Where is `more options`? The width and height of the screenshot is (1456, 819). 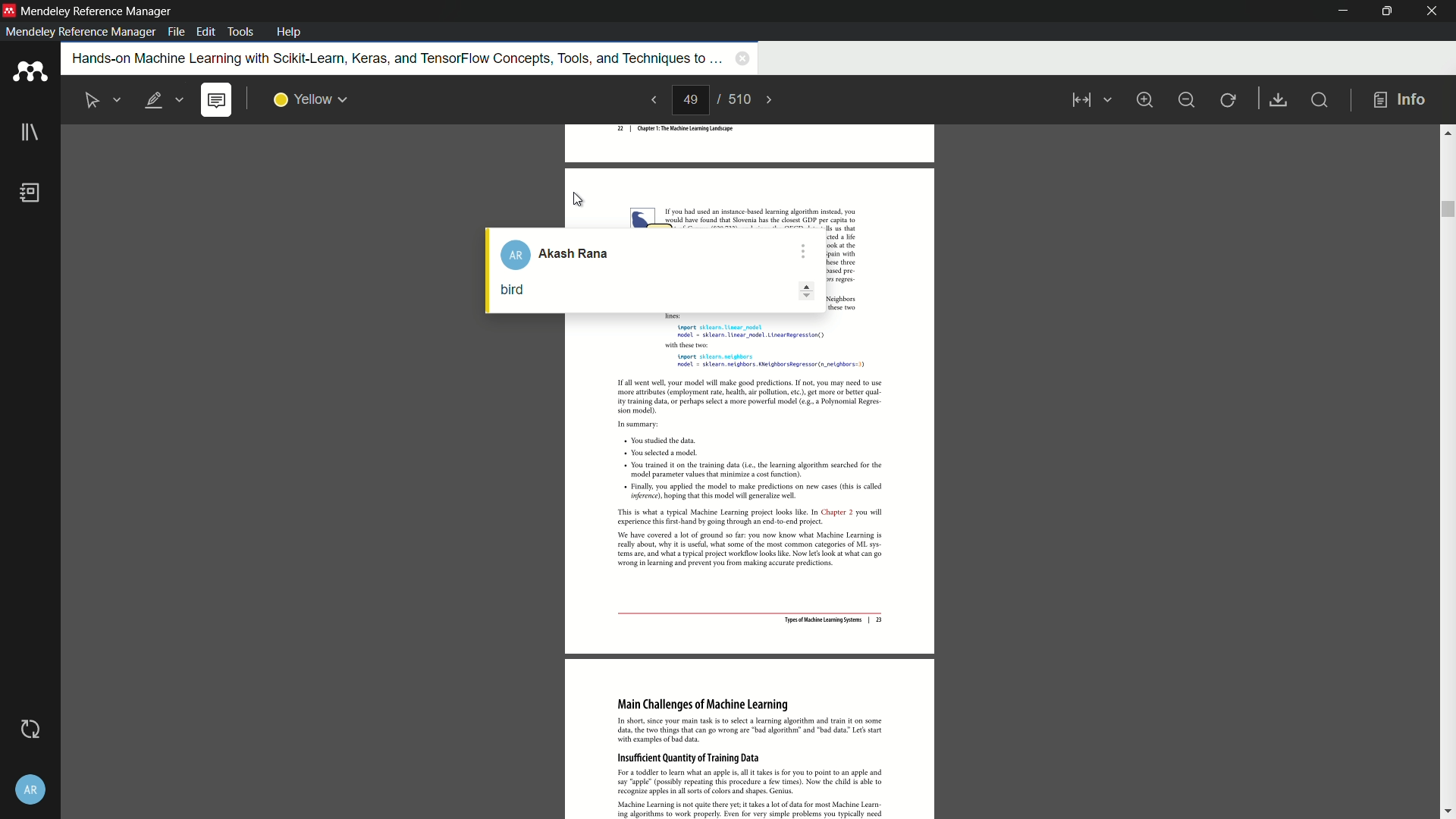
more options is located at coordinates (802, 246).